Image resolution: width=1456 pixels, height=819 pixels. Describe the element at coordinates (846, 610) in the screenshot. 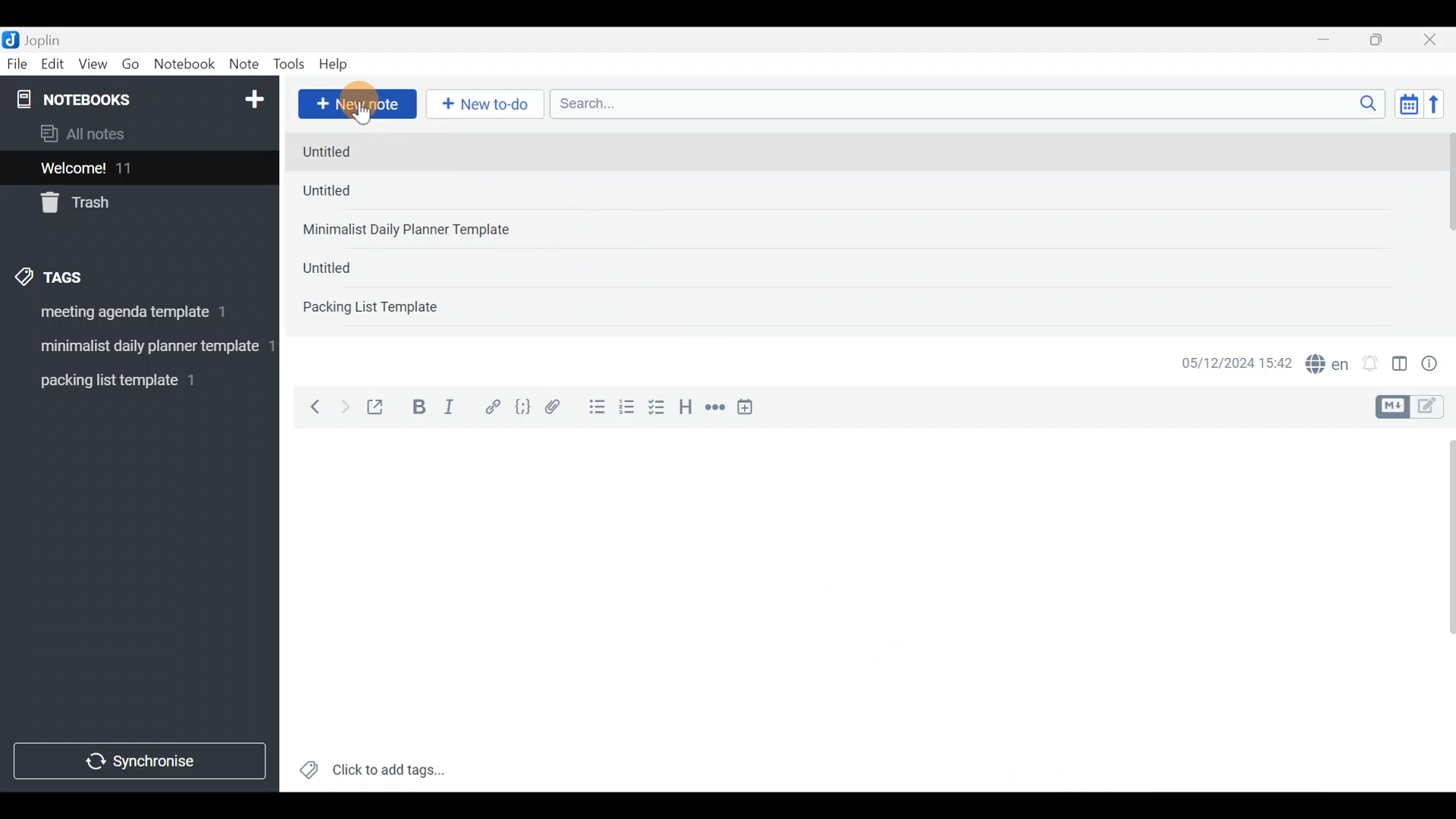

I see `Text editor` at that location.